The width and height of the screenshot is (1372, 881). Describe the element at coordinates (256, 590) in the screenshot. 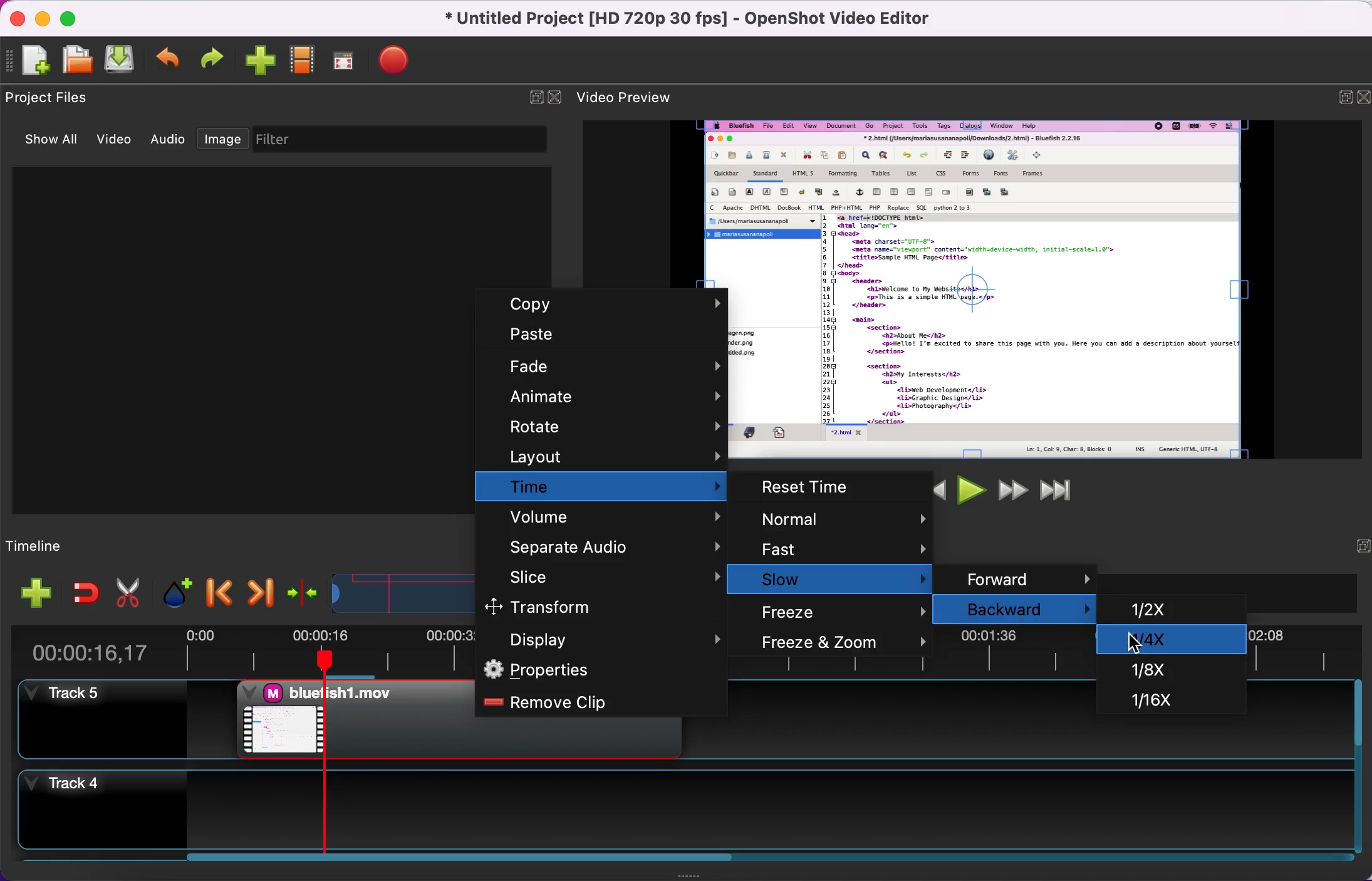

I see `next marker` at that location.